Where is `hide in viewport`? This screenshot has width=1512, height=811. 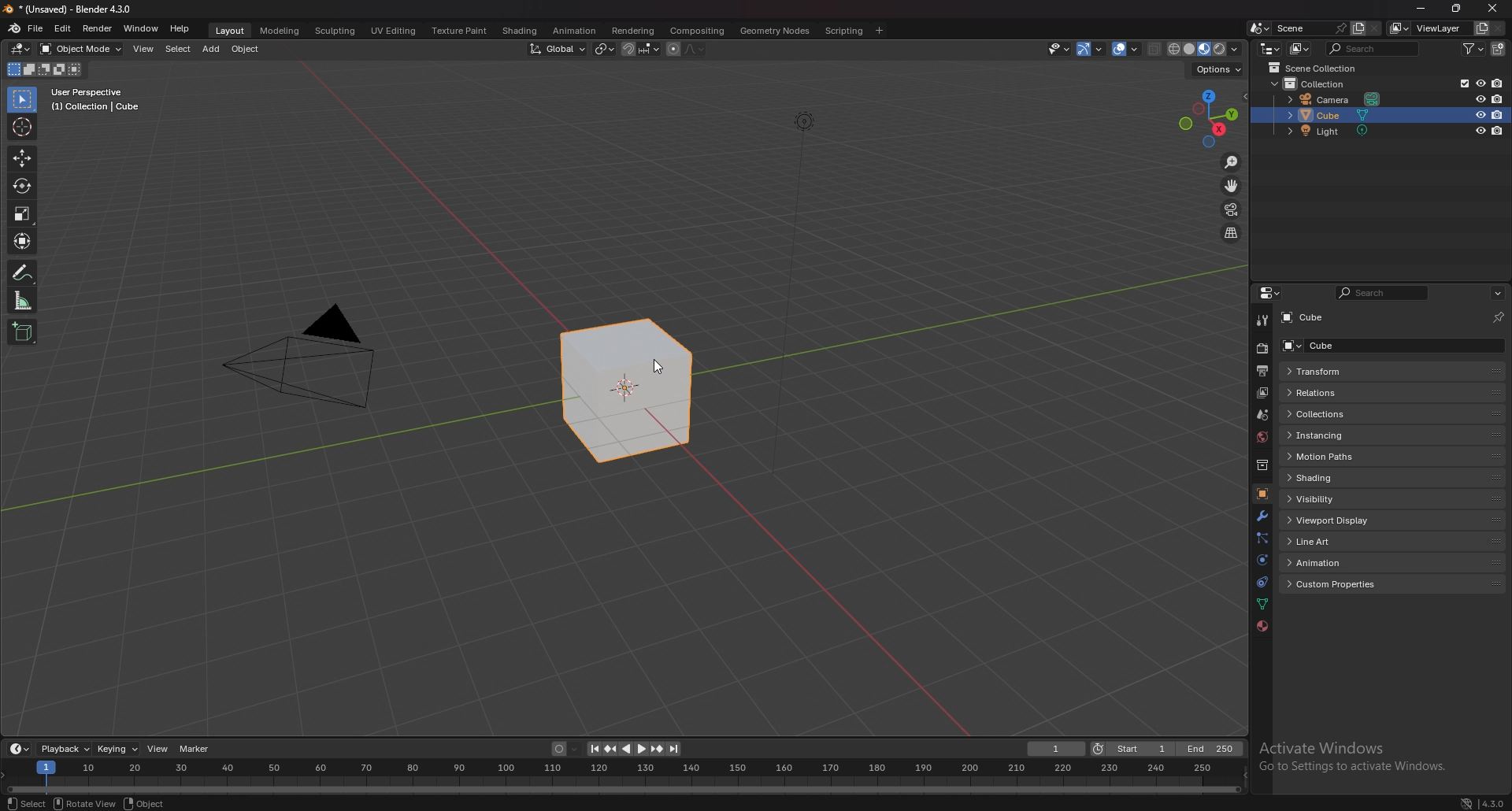 hide in viewport is located at coordinates (1478, 100).